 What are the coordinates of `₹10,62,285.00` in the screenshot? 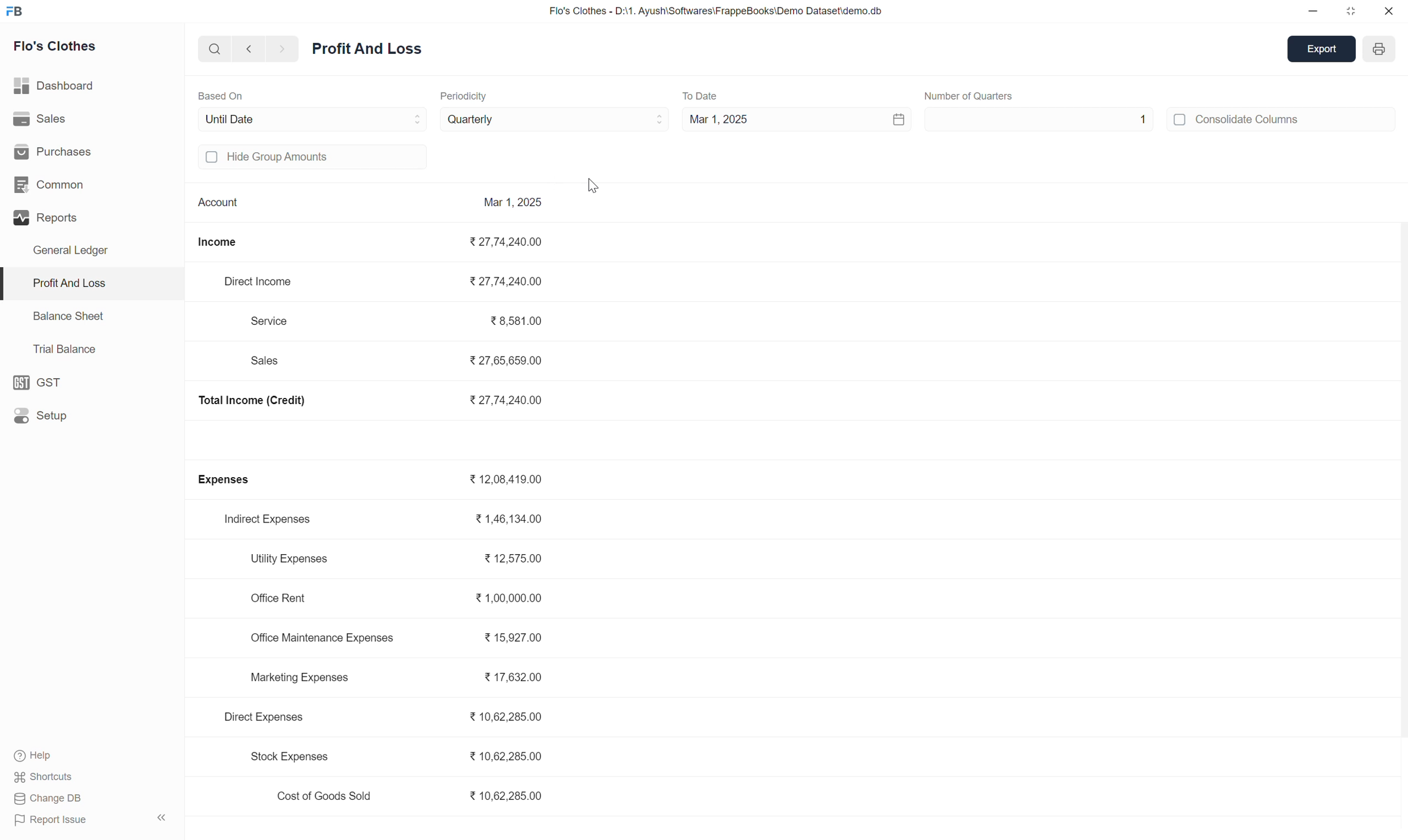 It's located at (503, 796).